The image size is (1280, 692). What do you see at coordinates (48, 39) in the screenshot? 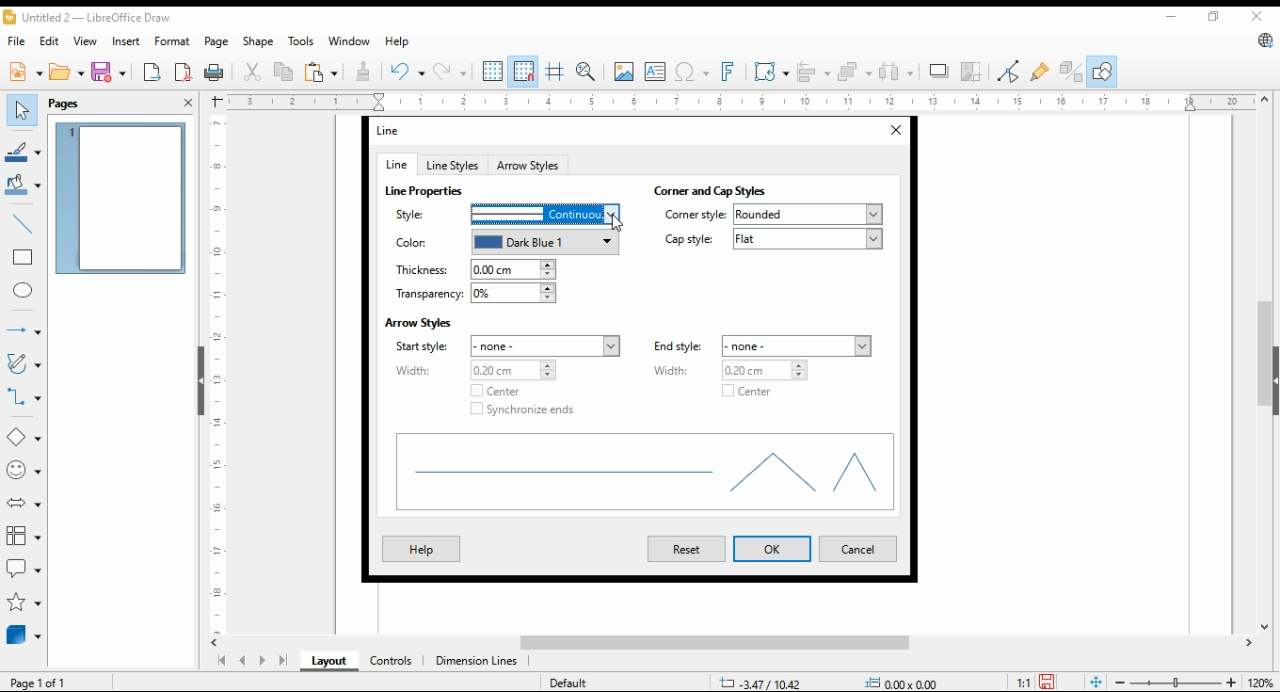
I see `edit` at bounding box center [48, 39].